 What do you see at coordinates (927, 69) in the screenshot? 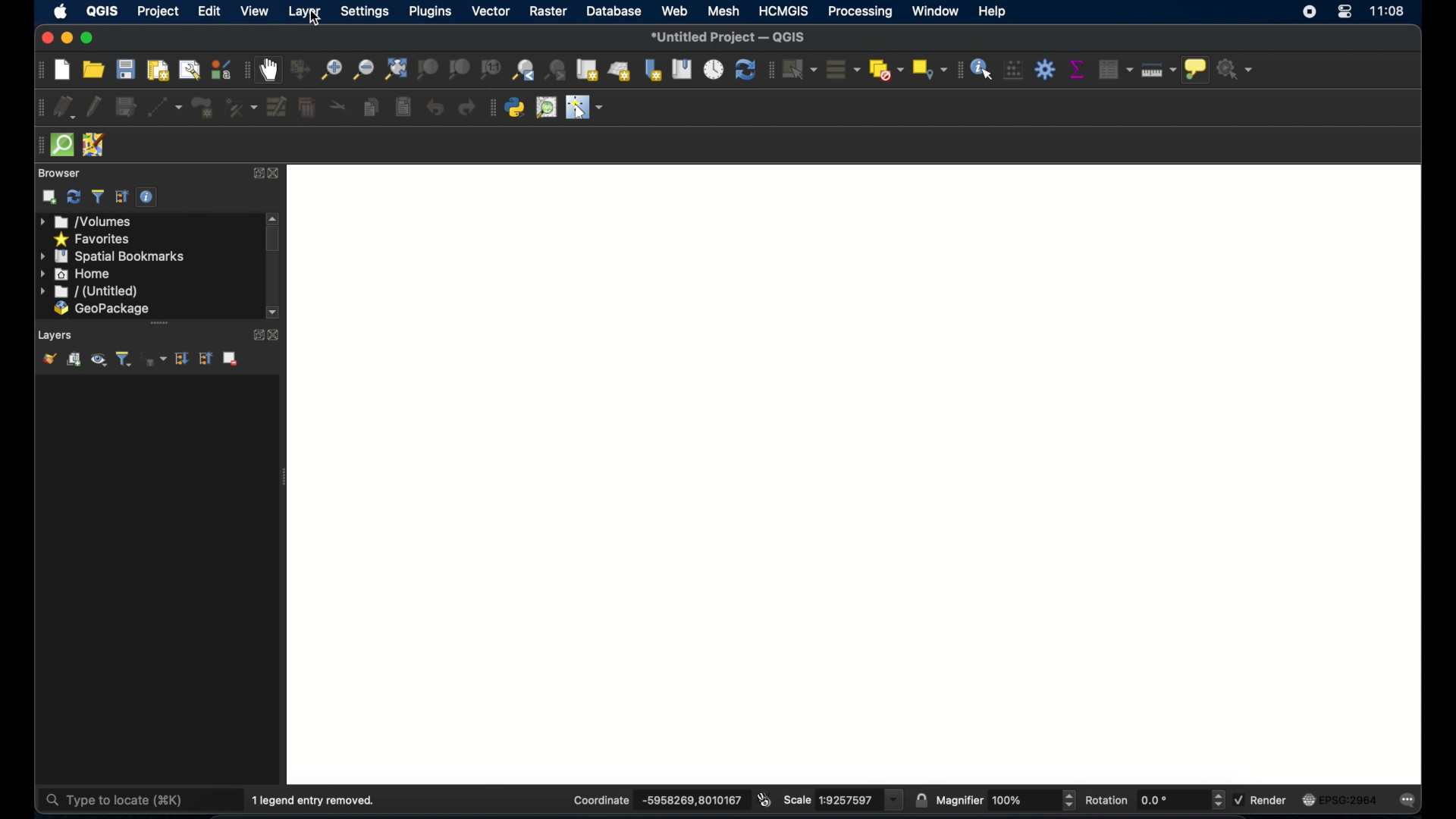
I see `select by location` at bounding box center [927, 69].